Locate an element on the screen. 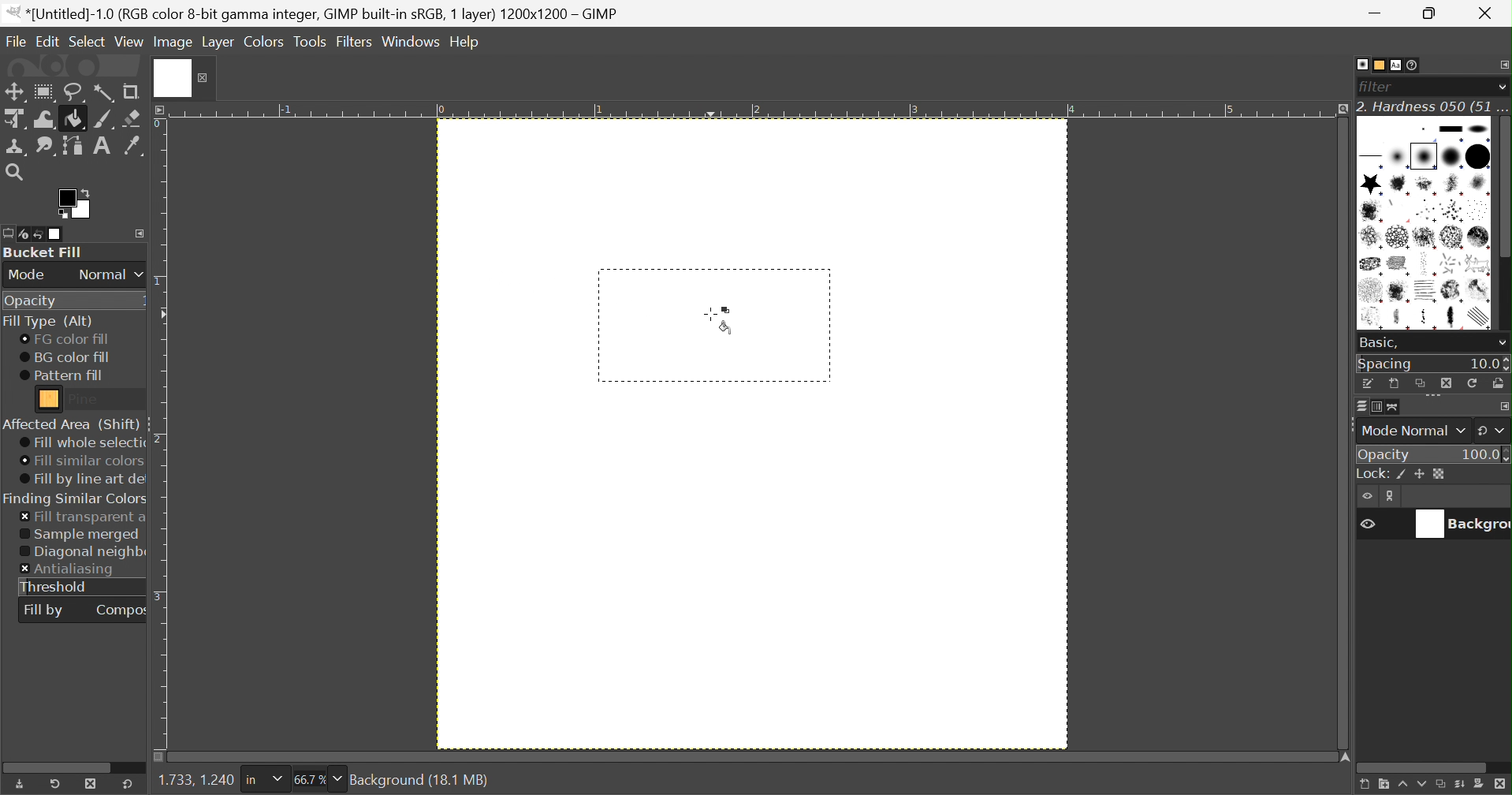  Access the image menu is located at coordinates (162, 109).